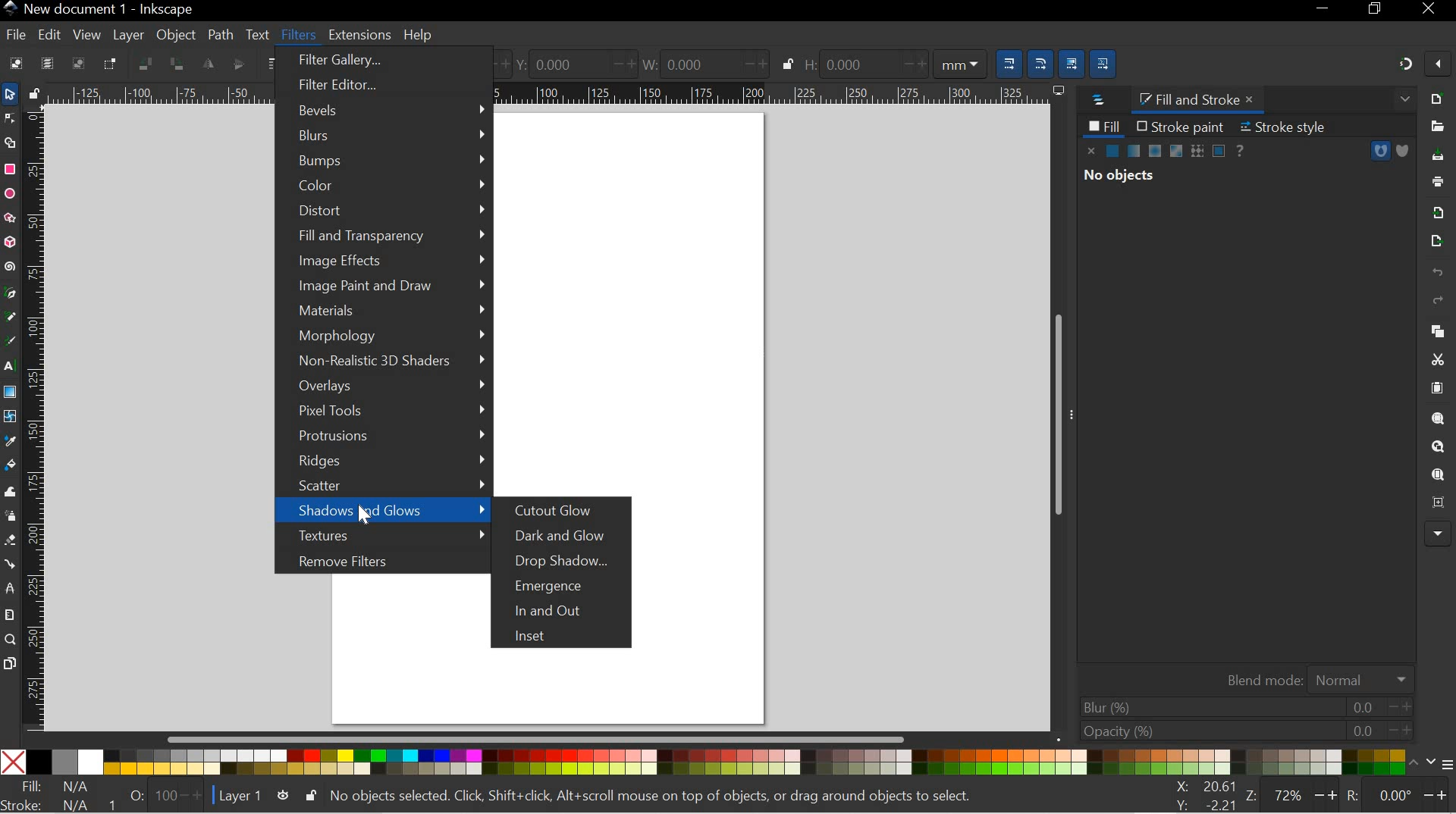 Image resolution: width=1456 pixels, height=814 pixels. Describe the element at coordinates (1200, 99) in the screenshot. I see `FILL AND STROKE` at that location.